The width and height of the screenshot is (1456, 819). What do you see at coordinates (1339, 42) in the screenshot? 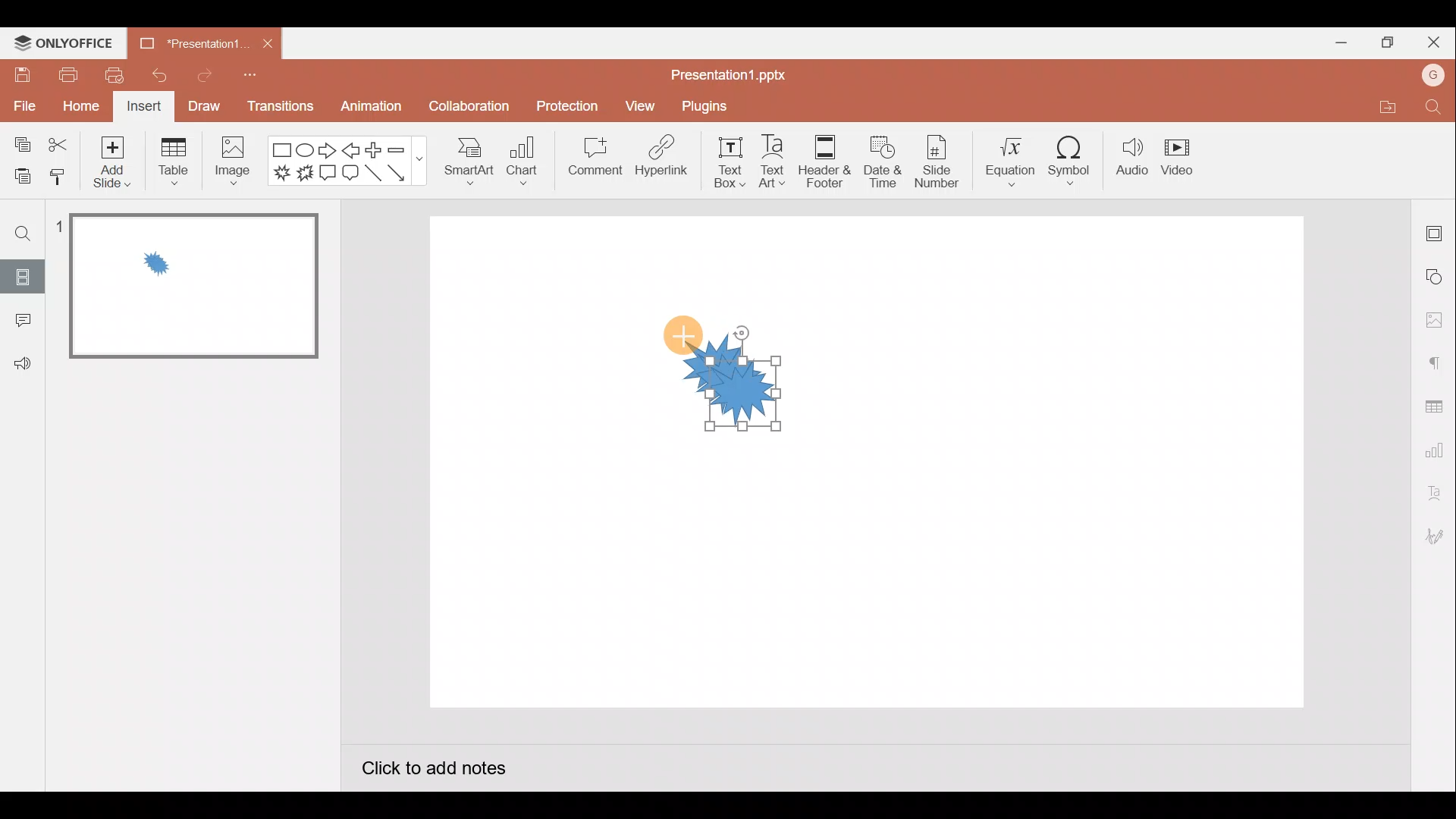
I see `Minimize` at bounding box center [1339, 42].